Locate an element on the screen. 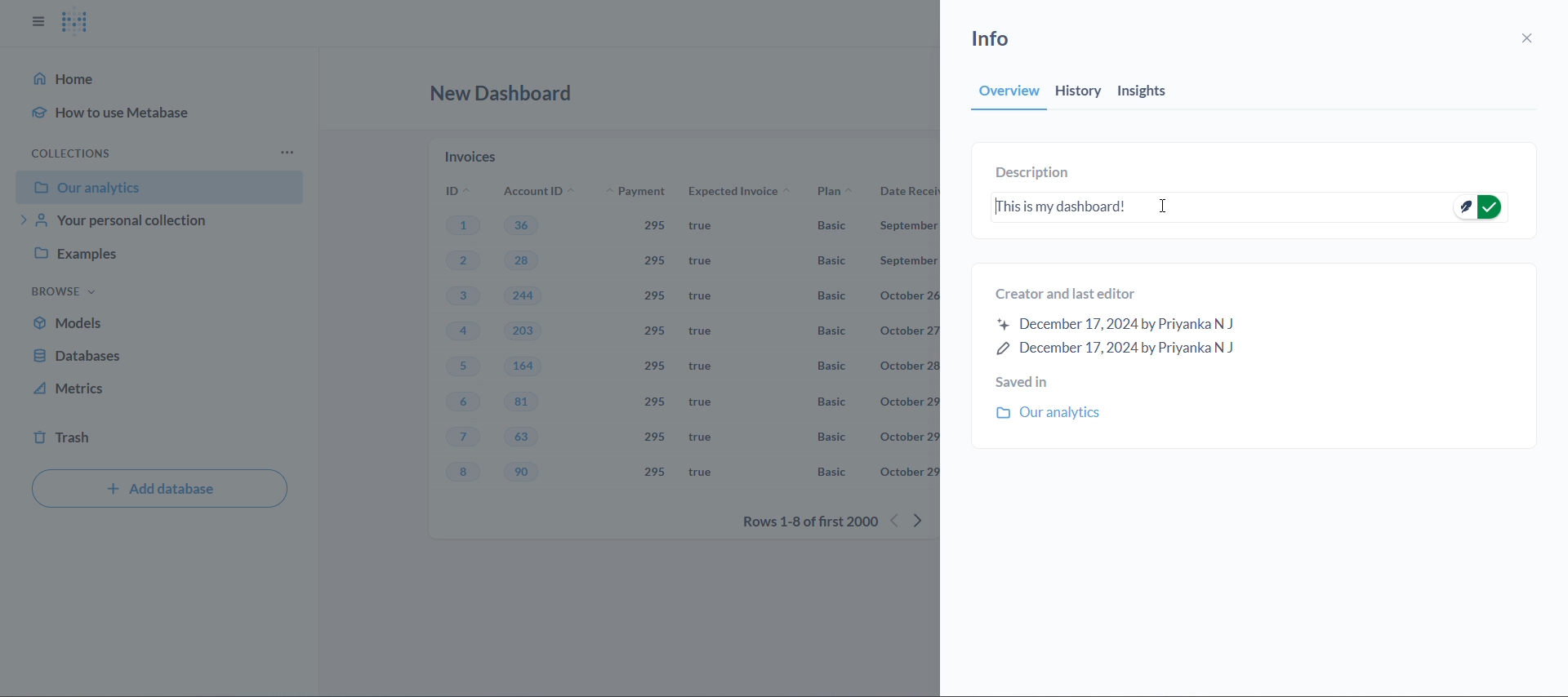 The height and width of the screenshot is (697, 1568). true is located at coordinates (703, 367).